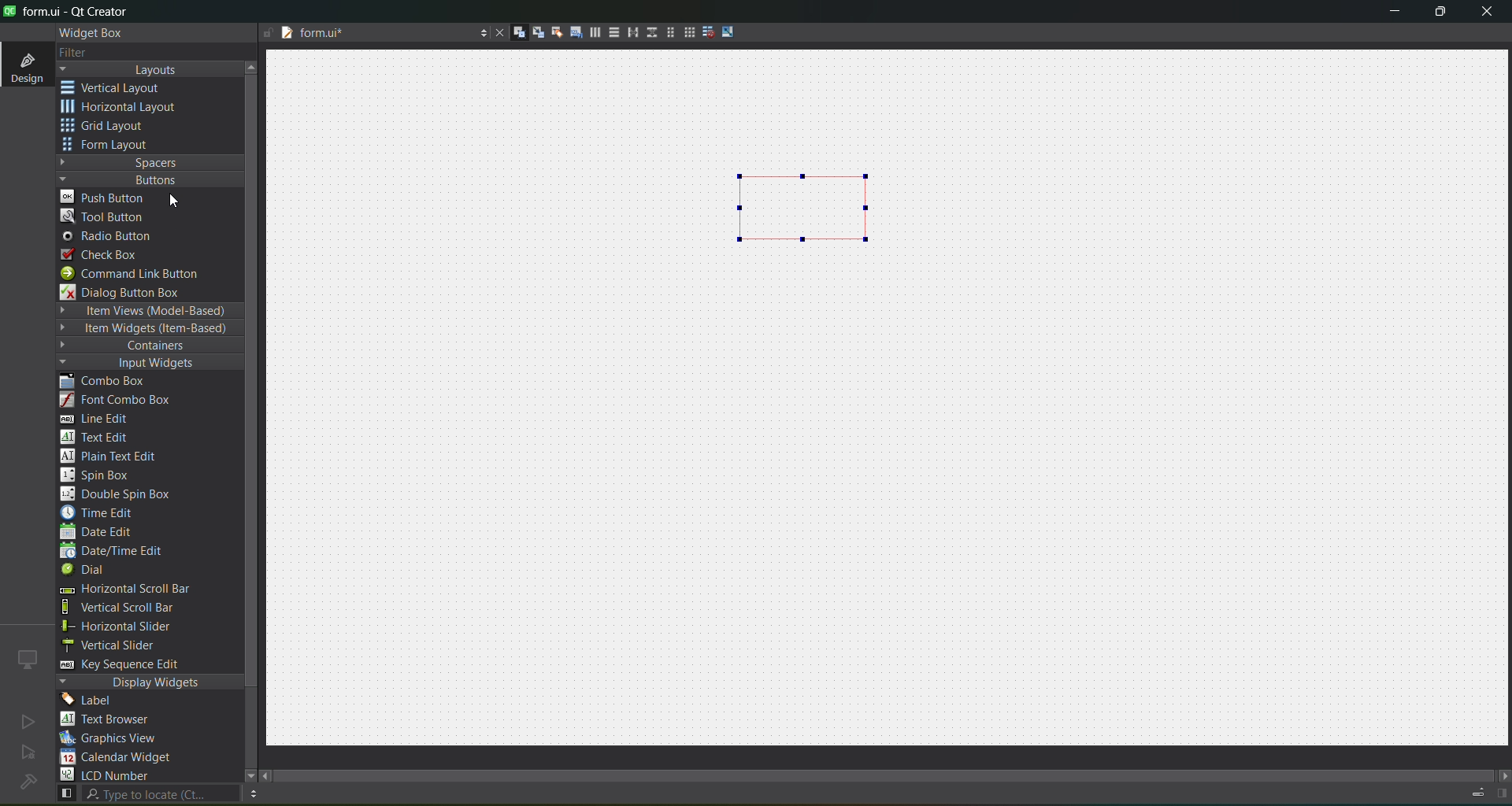 The width and height of the screenshot is (1512, 806). What do you see at coordinates (110, 145) in the screenshot?
I see `form` at bounding box center [110, 145].